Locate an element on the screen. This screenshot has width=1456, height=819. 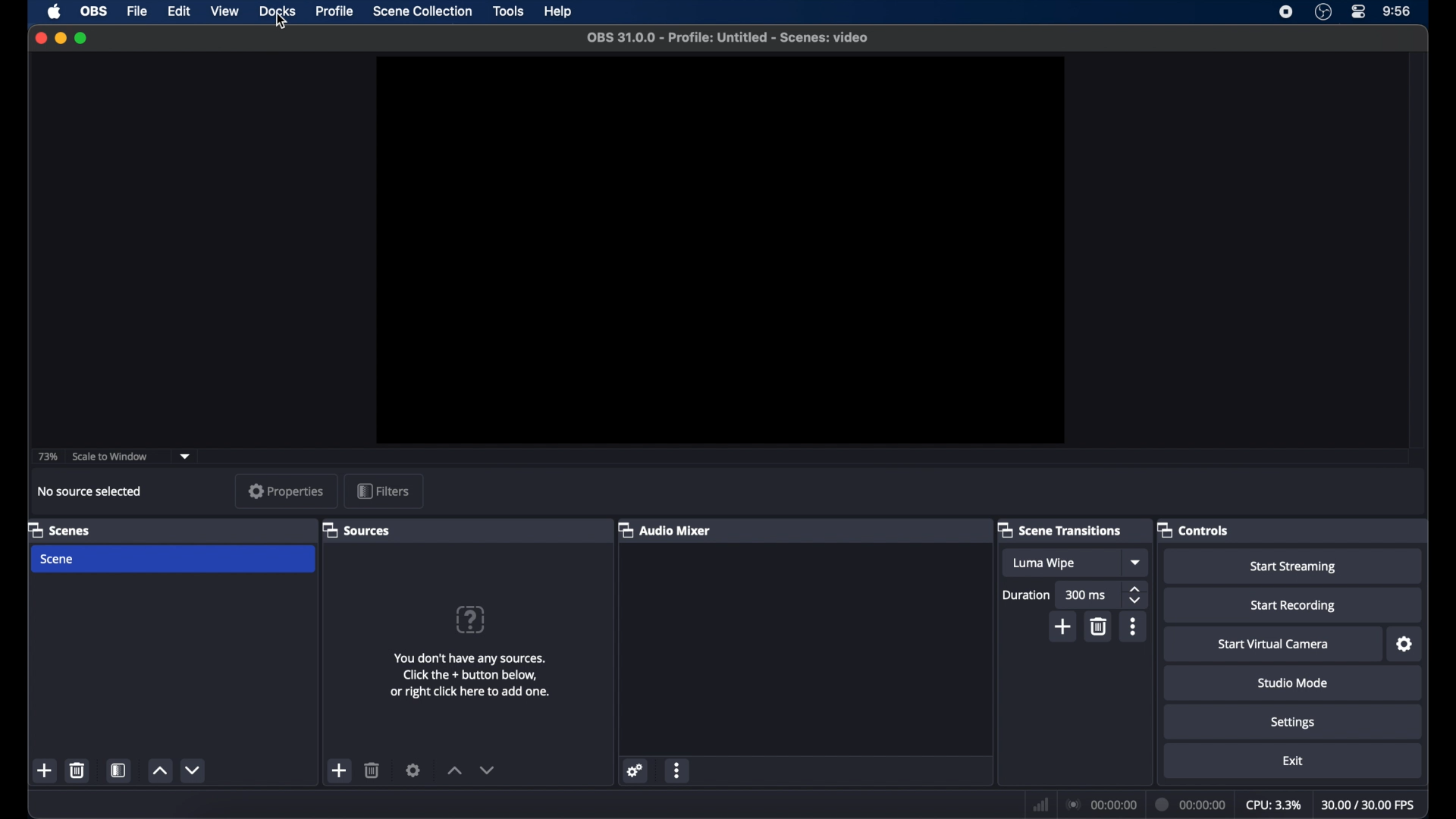
close is located at coordinates (40, 38).